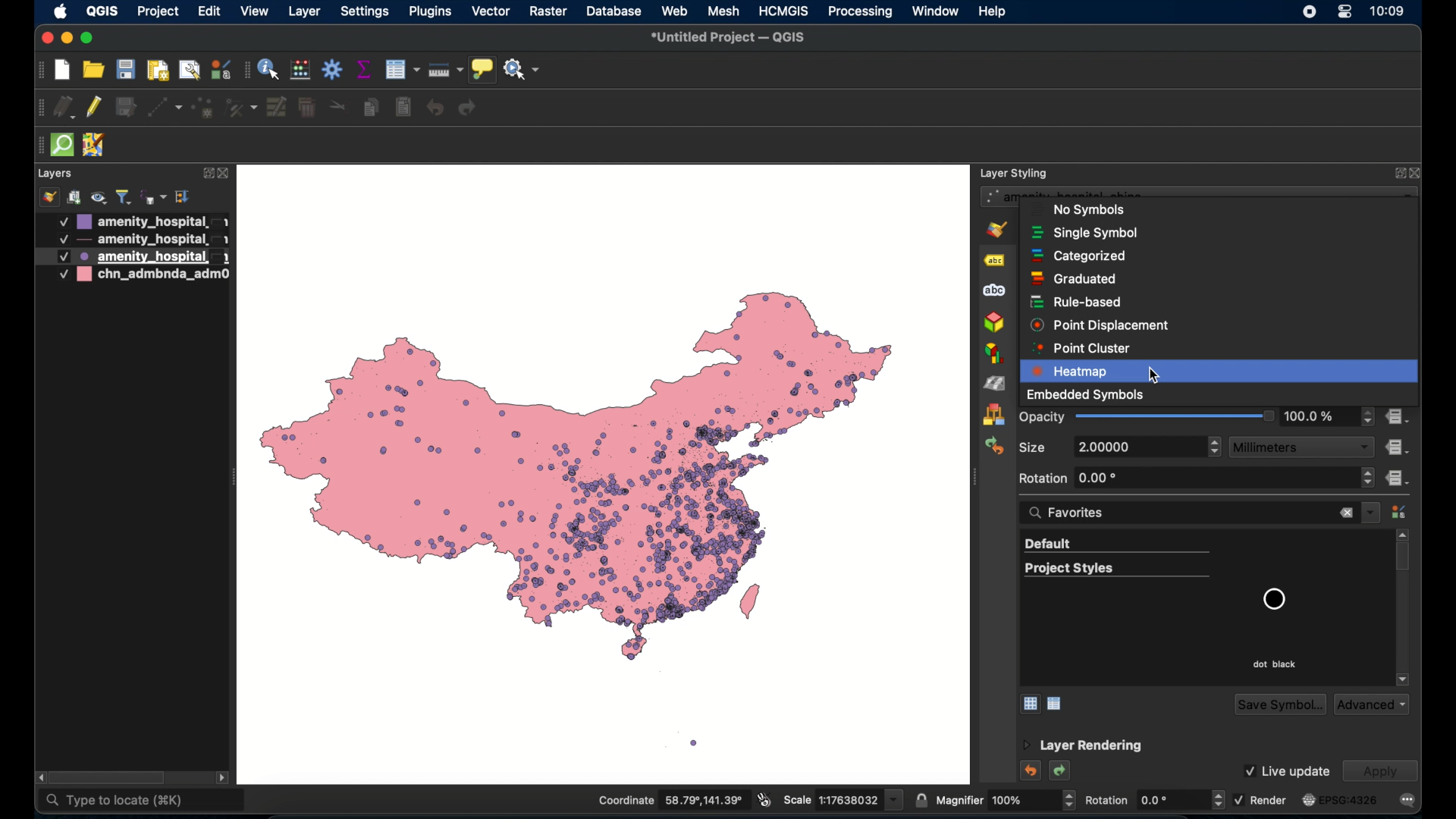 The image size is (1456, 819). I want to click on digitize with segment, so click(165, 109).